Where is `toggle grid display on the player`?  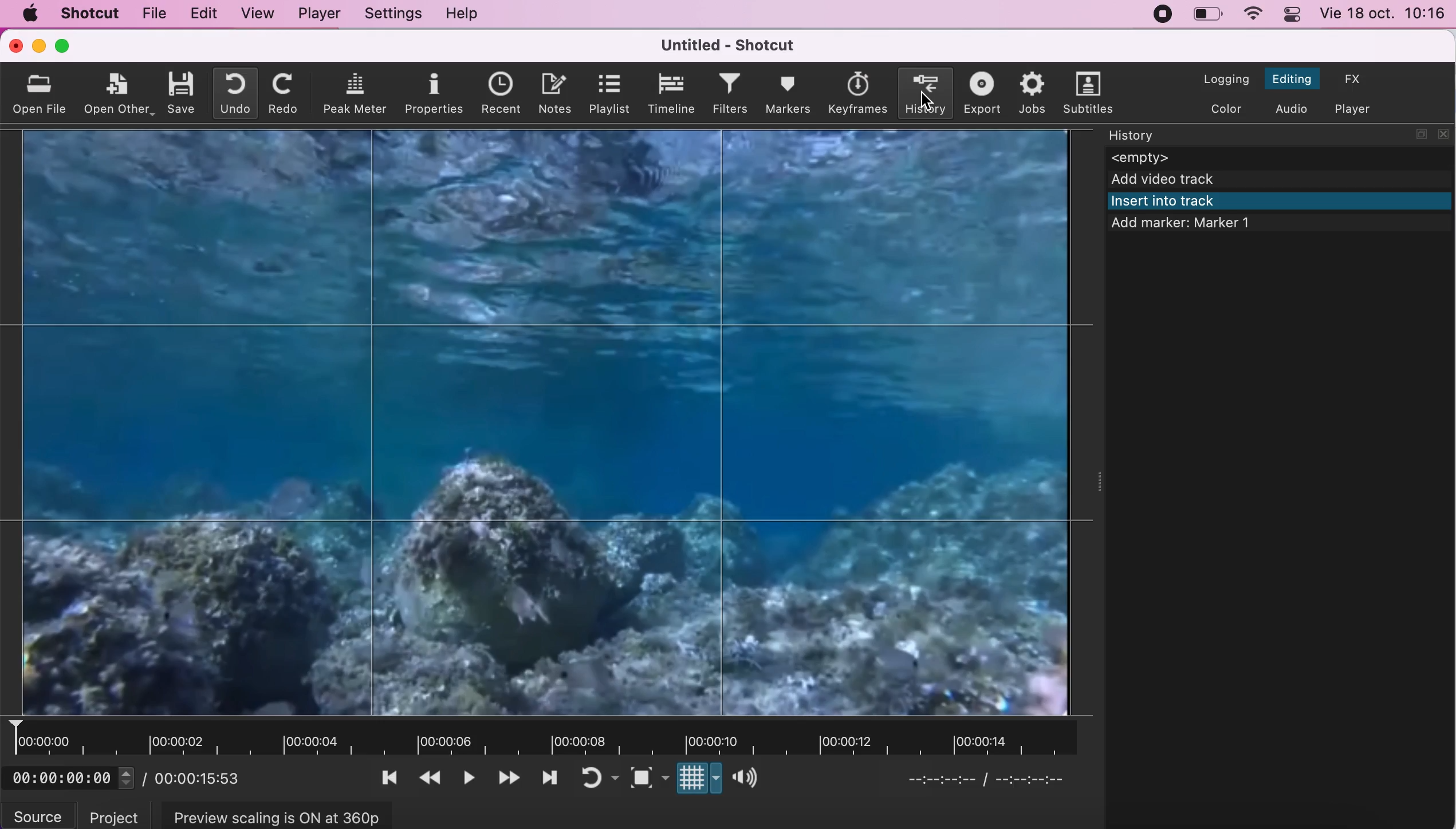 toggle grid display on the player is located at coordinates (697, 780).